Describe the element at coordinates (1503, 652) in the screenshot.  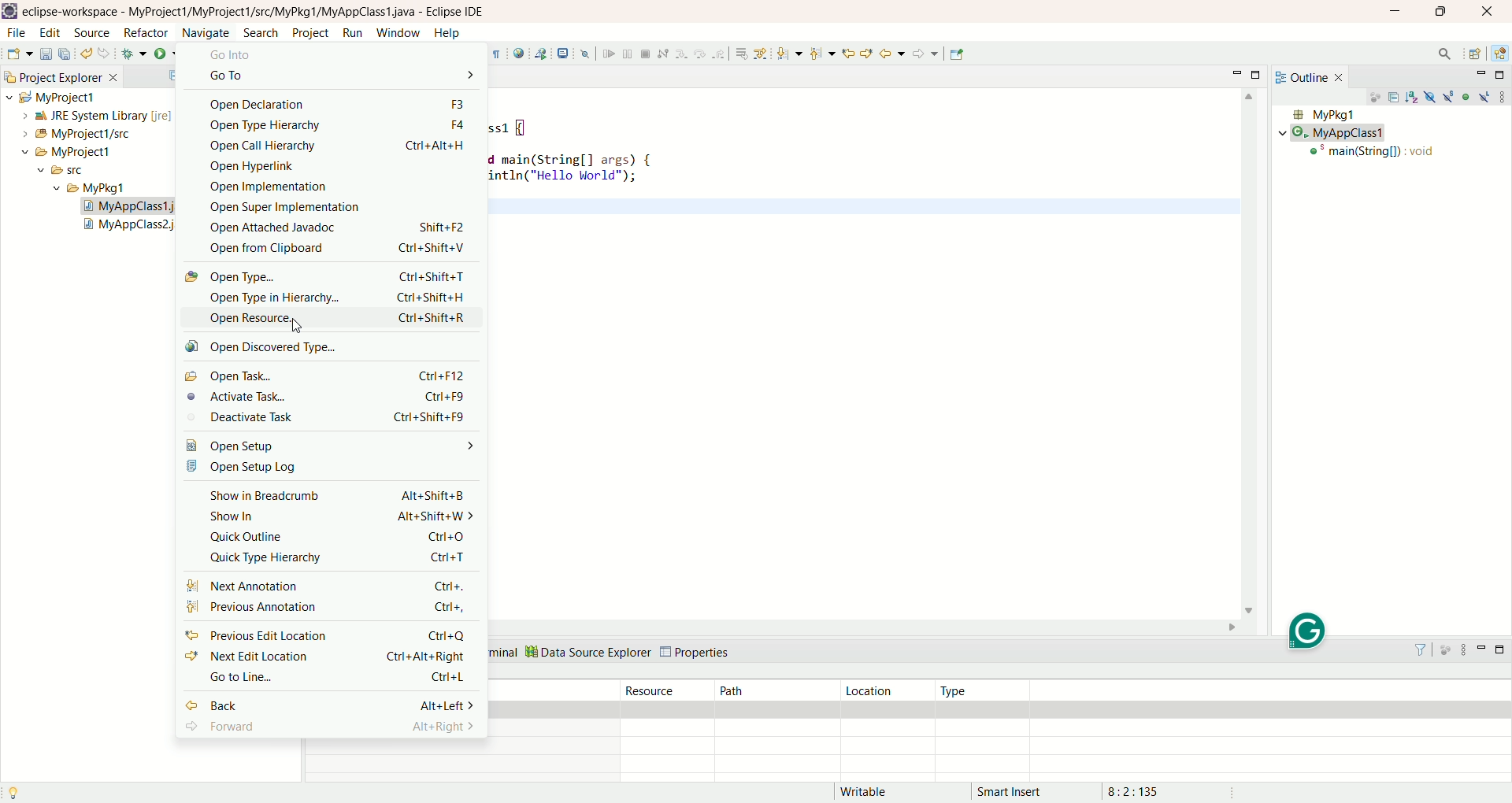
I see `maximise` at that location.